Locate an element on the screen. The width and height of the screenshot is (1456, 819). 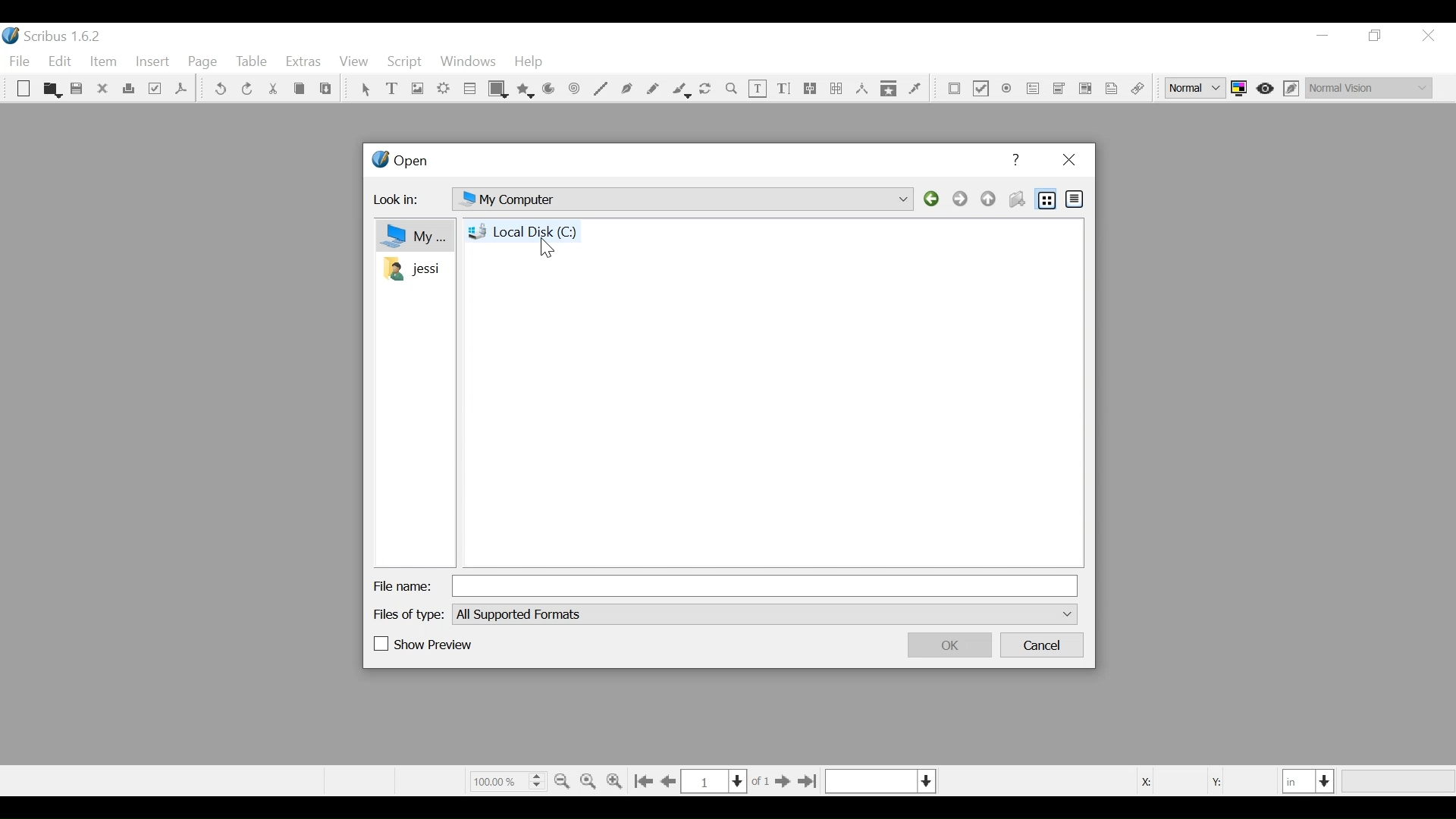
PDF Check Box is located at coordinates (981, 90).